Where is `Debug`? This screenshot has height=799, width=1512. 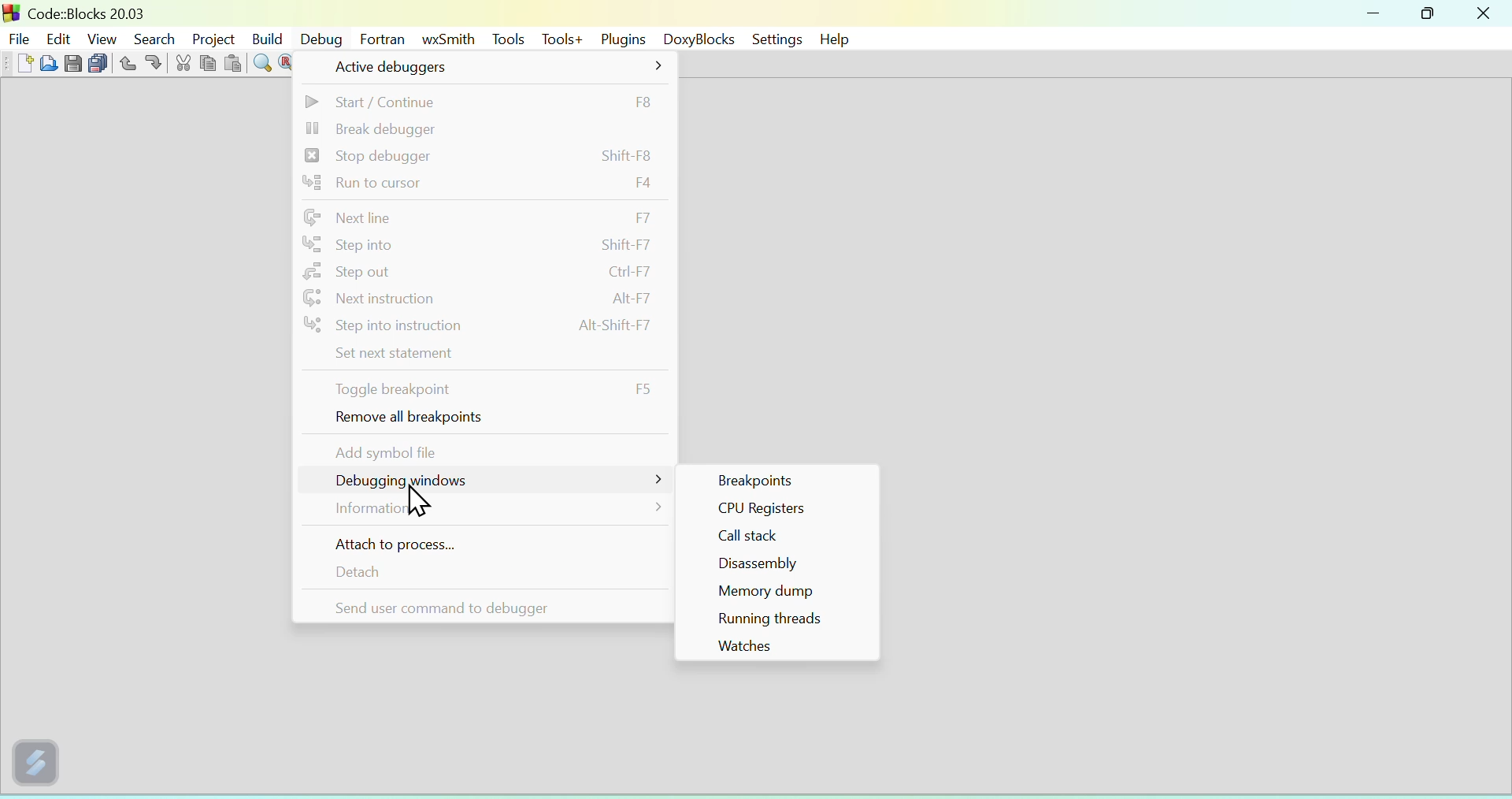 Debug is located at coordinates (321, 39).